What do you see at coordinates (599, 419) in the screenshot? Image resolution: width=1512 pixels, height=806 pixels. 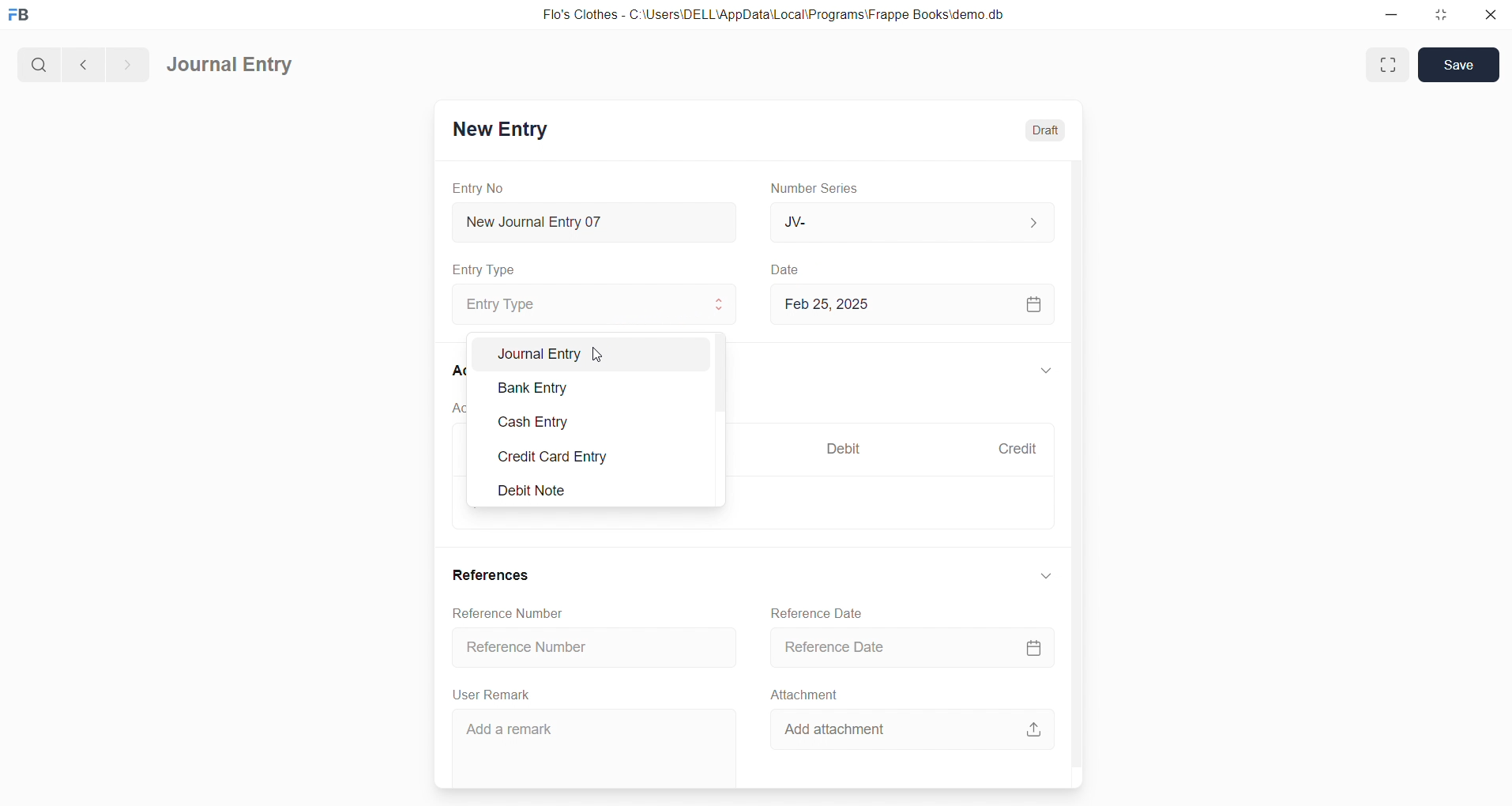 I see `Cash Entry` at bounding box center [599, 419].